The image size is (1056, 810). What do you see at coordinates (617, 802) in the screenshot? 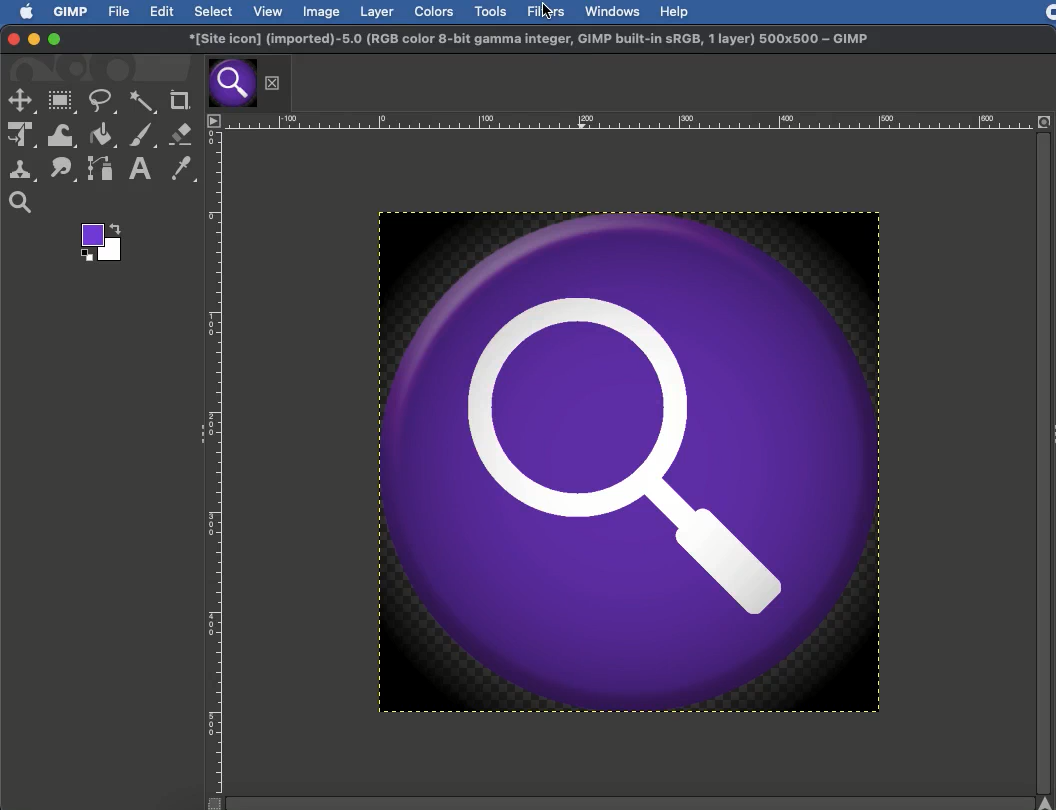
I see `Scroll` at bounding box center [617, 802].